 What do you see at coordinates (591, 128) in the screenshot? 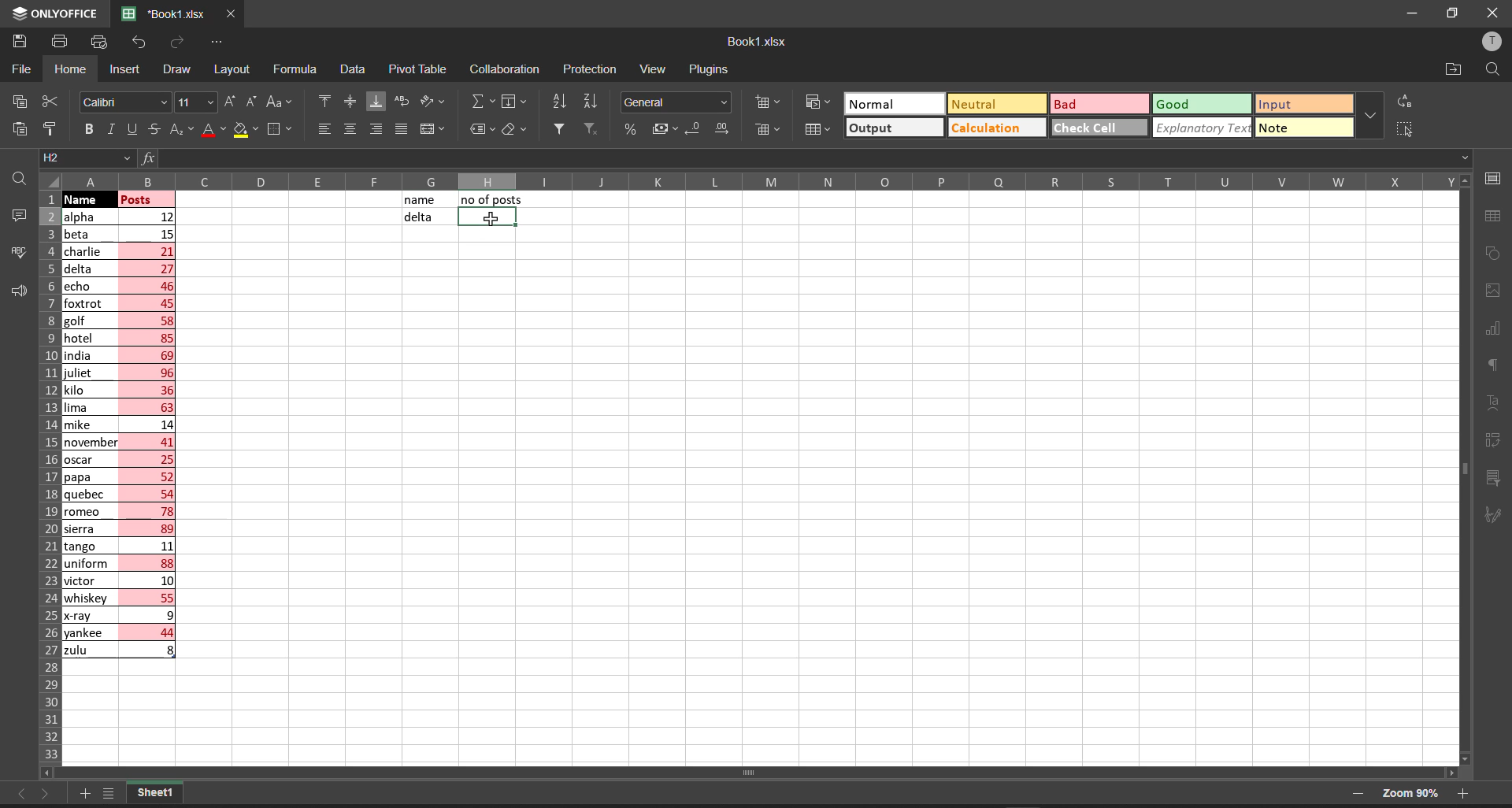
I see `clear filters` at bounding box center [591, 128].